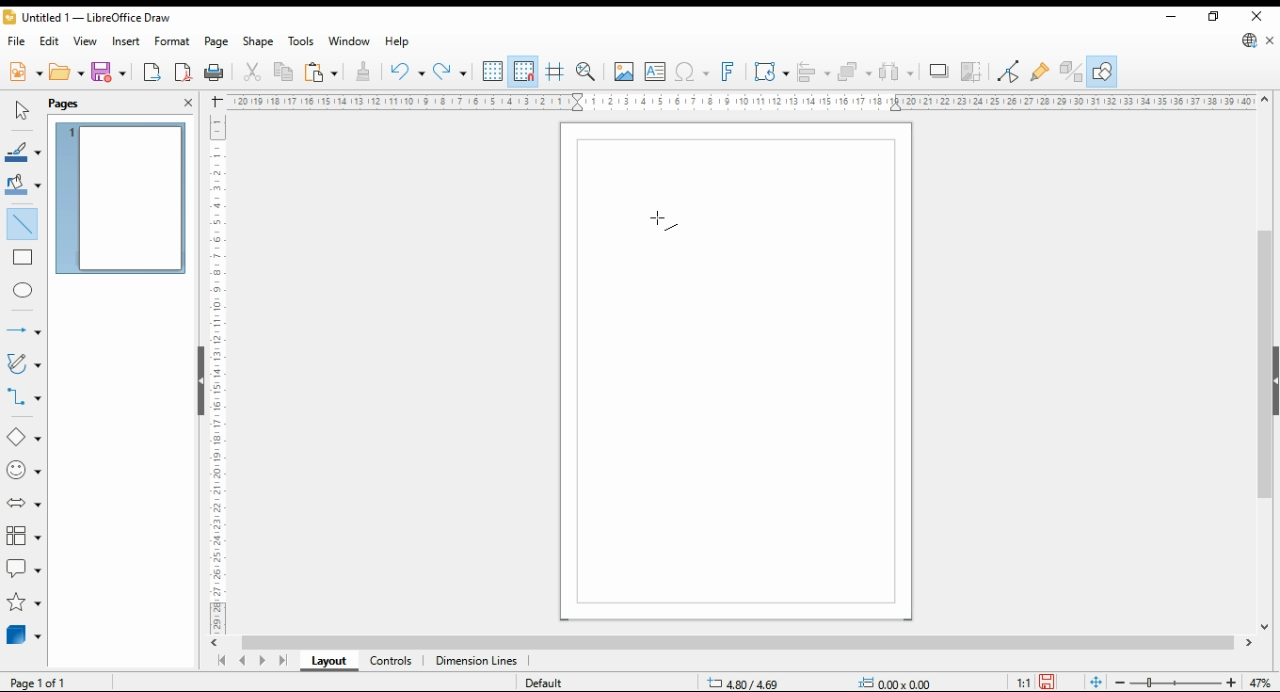 This screenshot has height=692, width=1280. I want to click on new, so click(24, 72).